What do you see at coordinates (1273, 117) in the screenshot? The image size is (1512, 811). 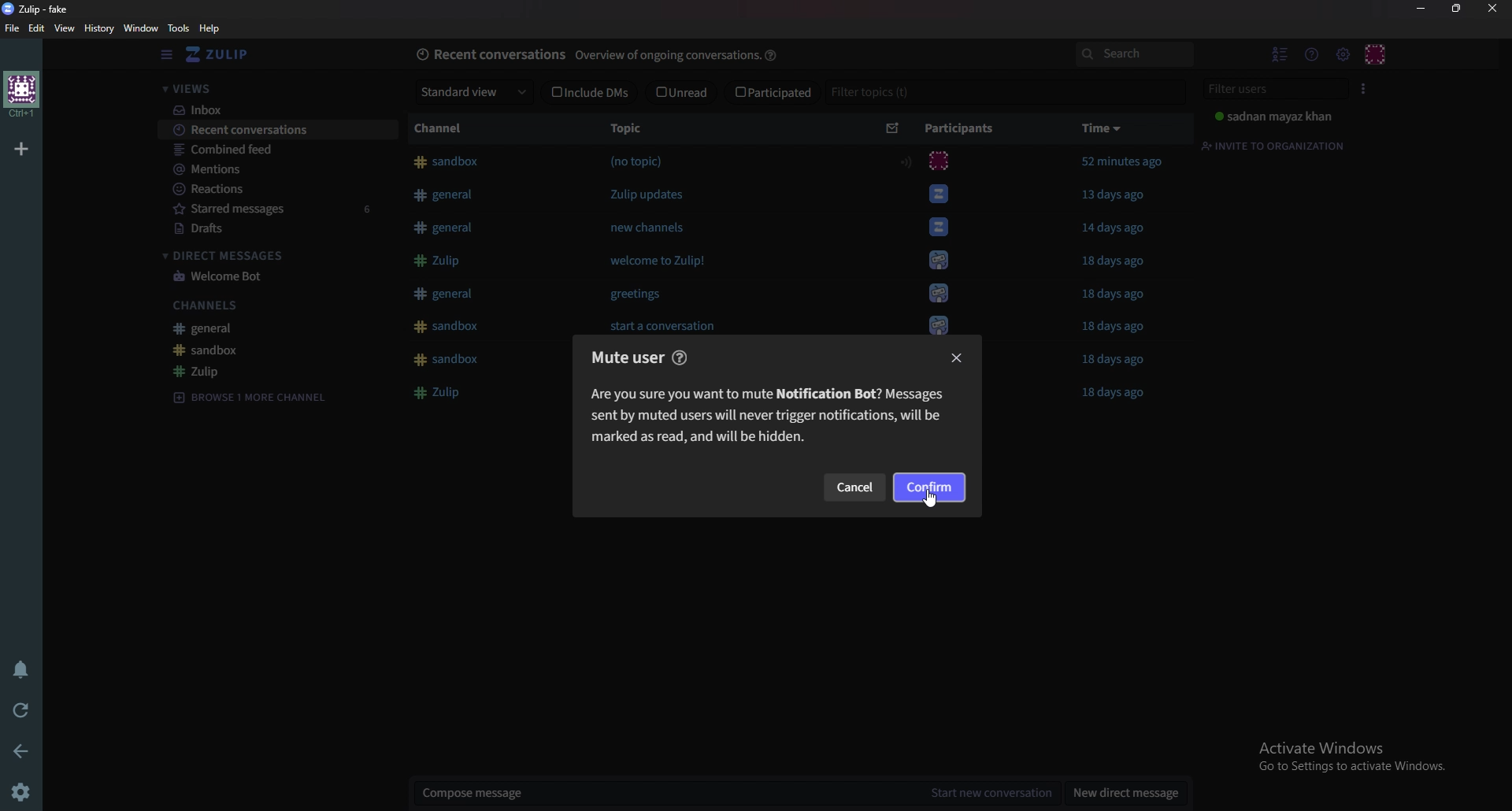 I see `sadnan mayaz khan` at bounding box center [1273, 117].